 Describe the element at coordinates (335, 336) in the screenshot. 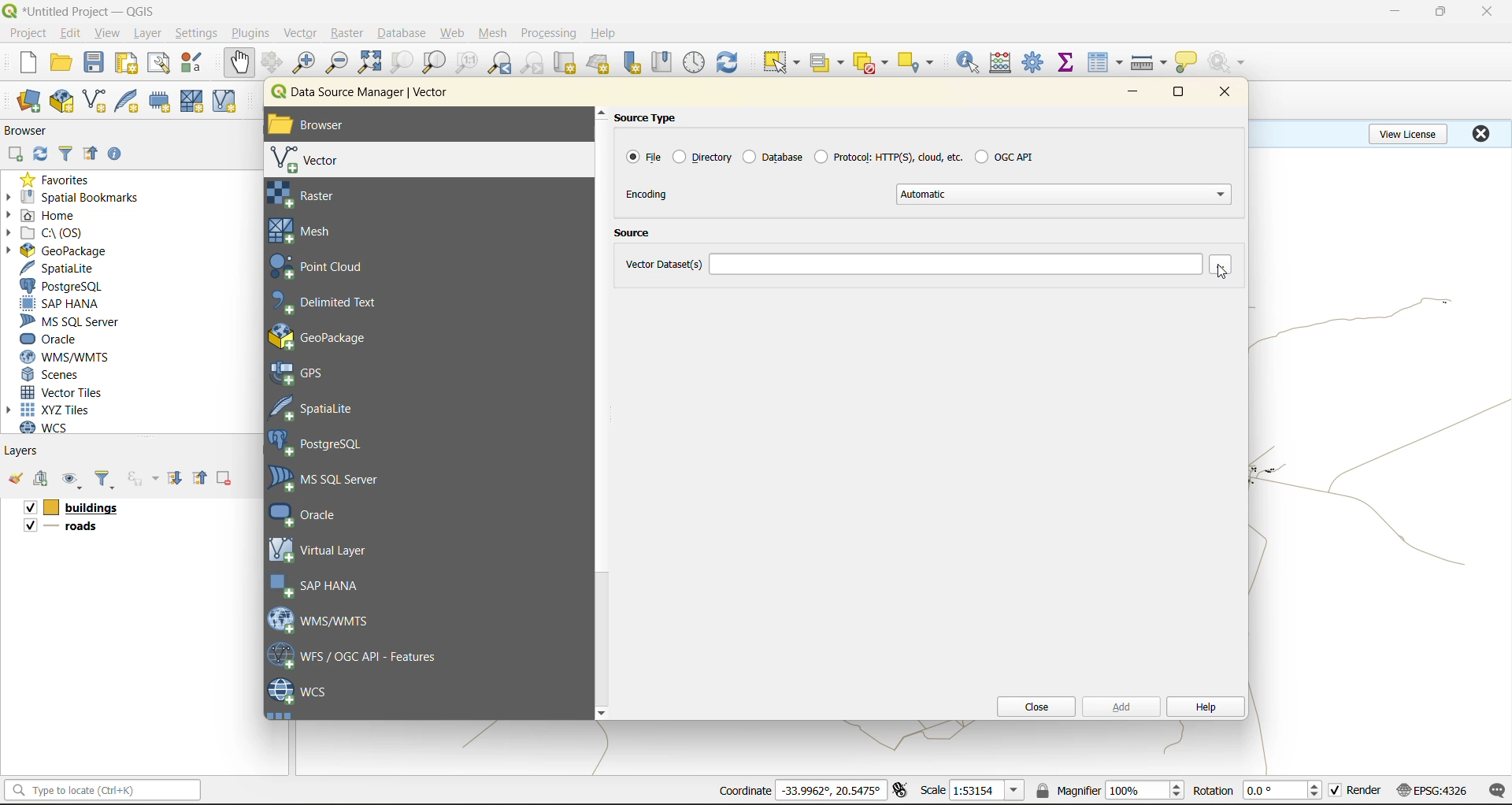

I see `geo package` at that location.